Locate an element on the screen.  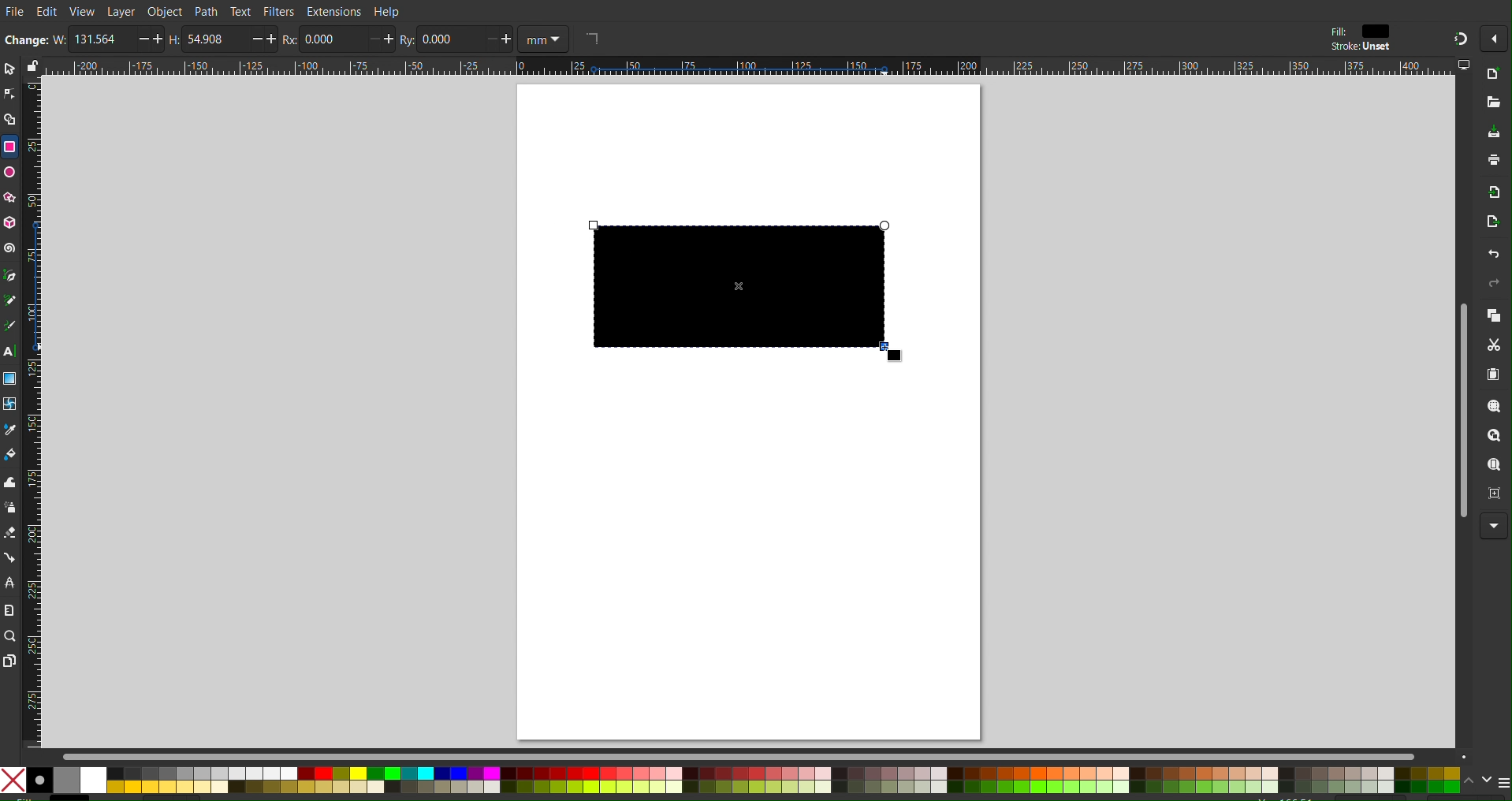
Pencil Tool is located at coordinates (9, 300).